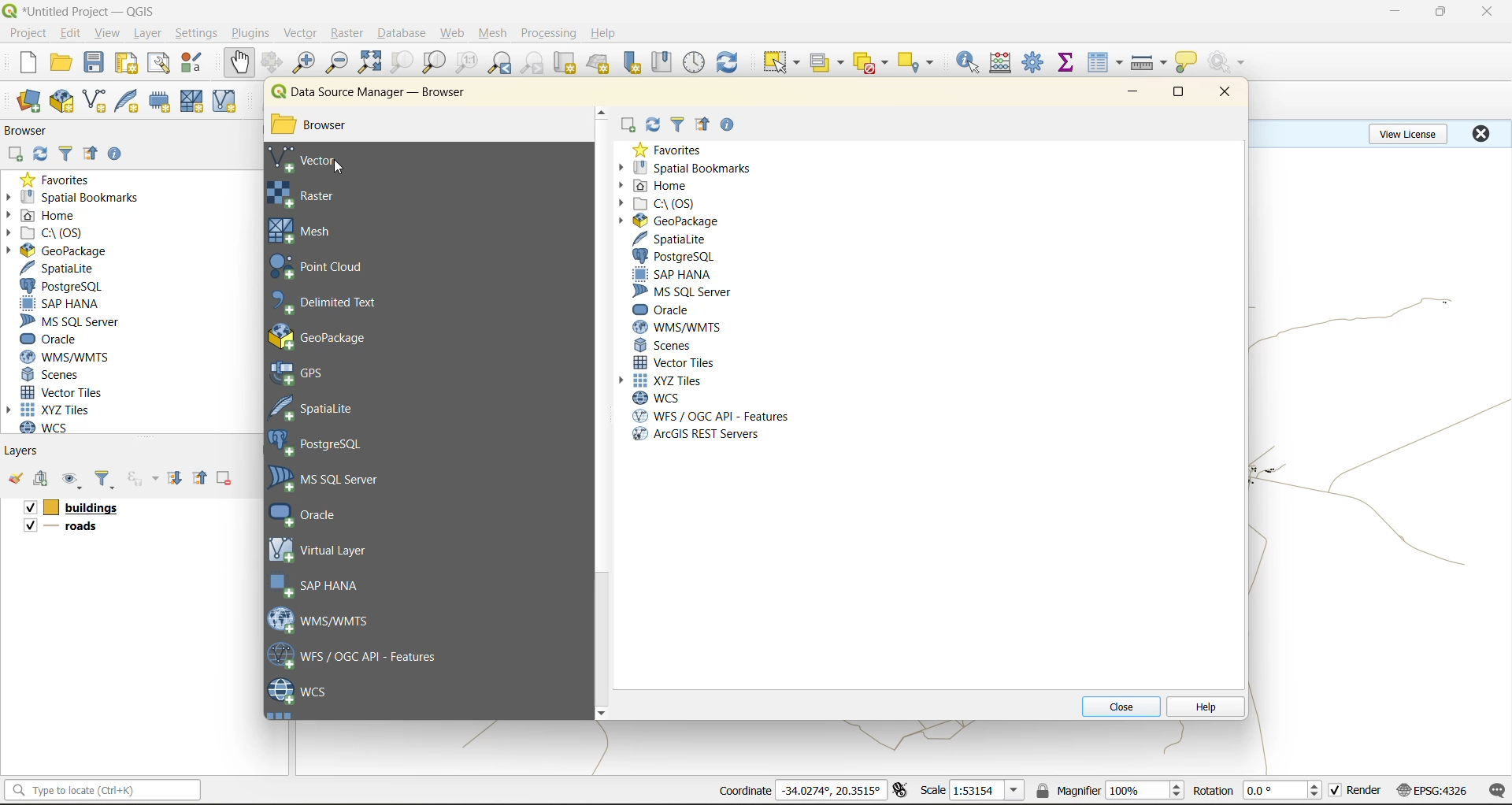 This screenshot has width=1512, height=805. I want to click on new, so click(26, 62).